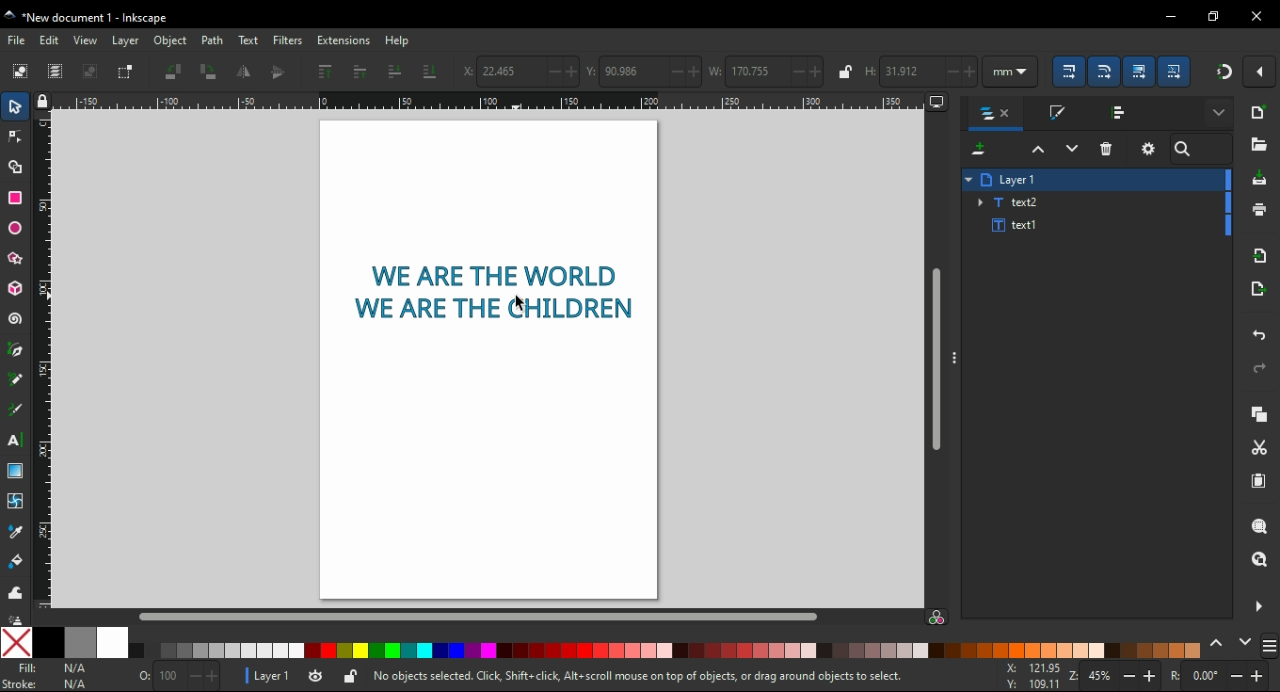 The width and height of the screenshot is (1280, 692). What do you see at coordinates (359, 72) in the screenshot?
I see `raise` at bounding box center [359, 72].